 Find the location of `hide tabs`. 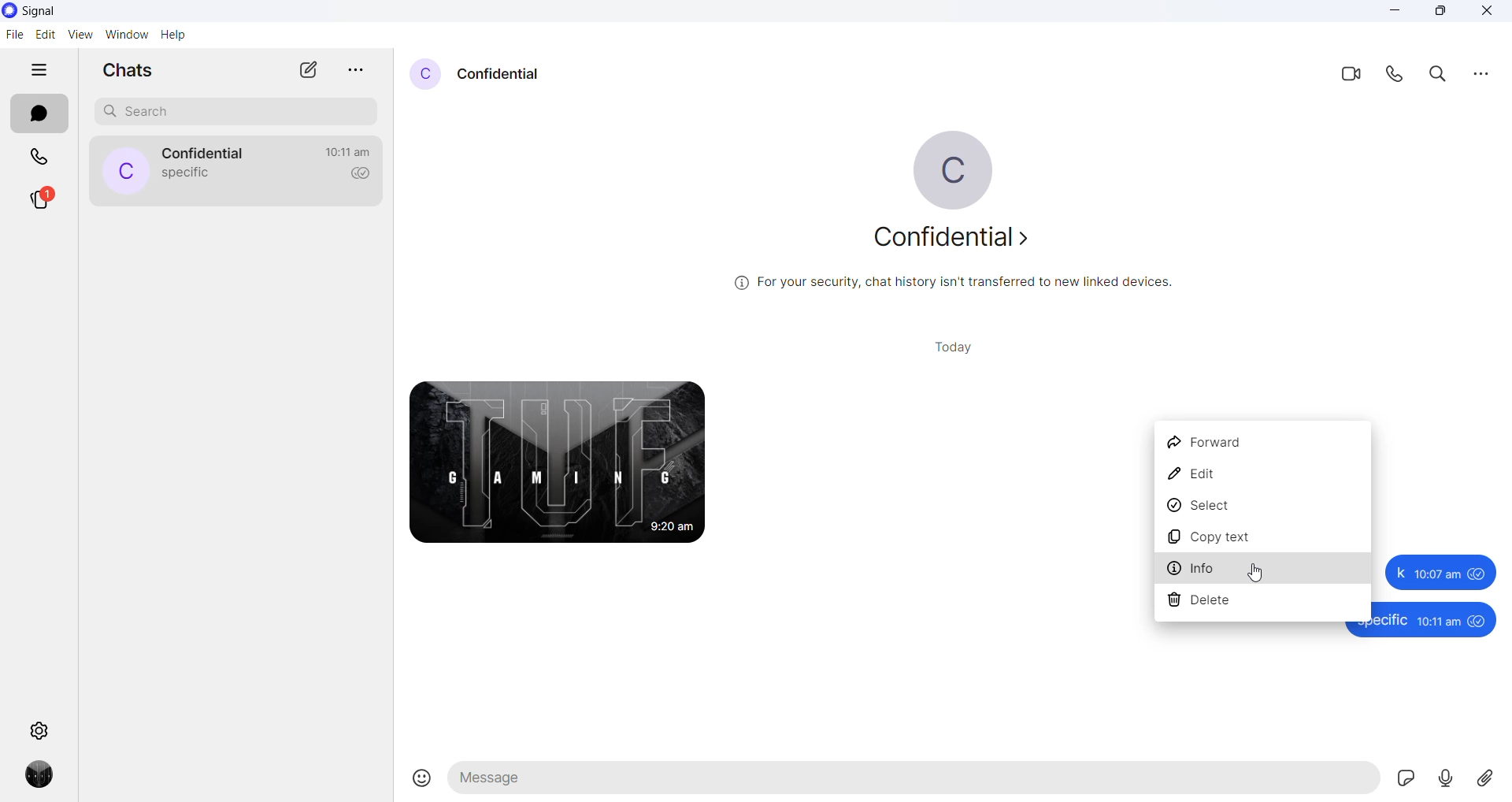

hide tabs is located at coordinates (39, 71).